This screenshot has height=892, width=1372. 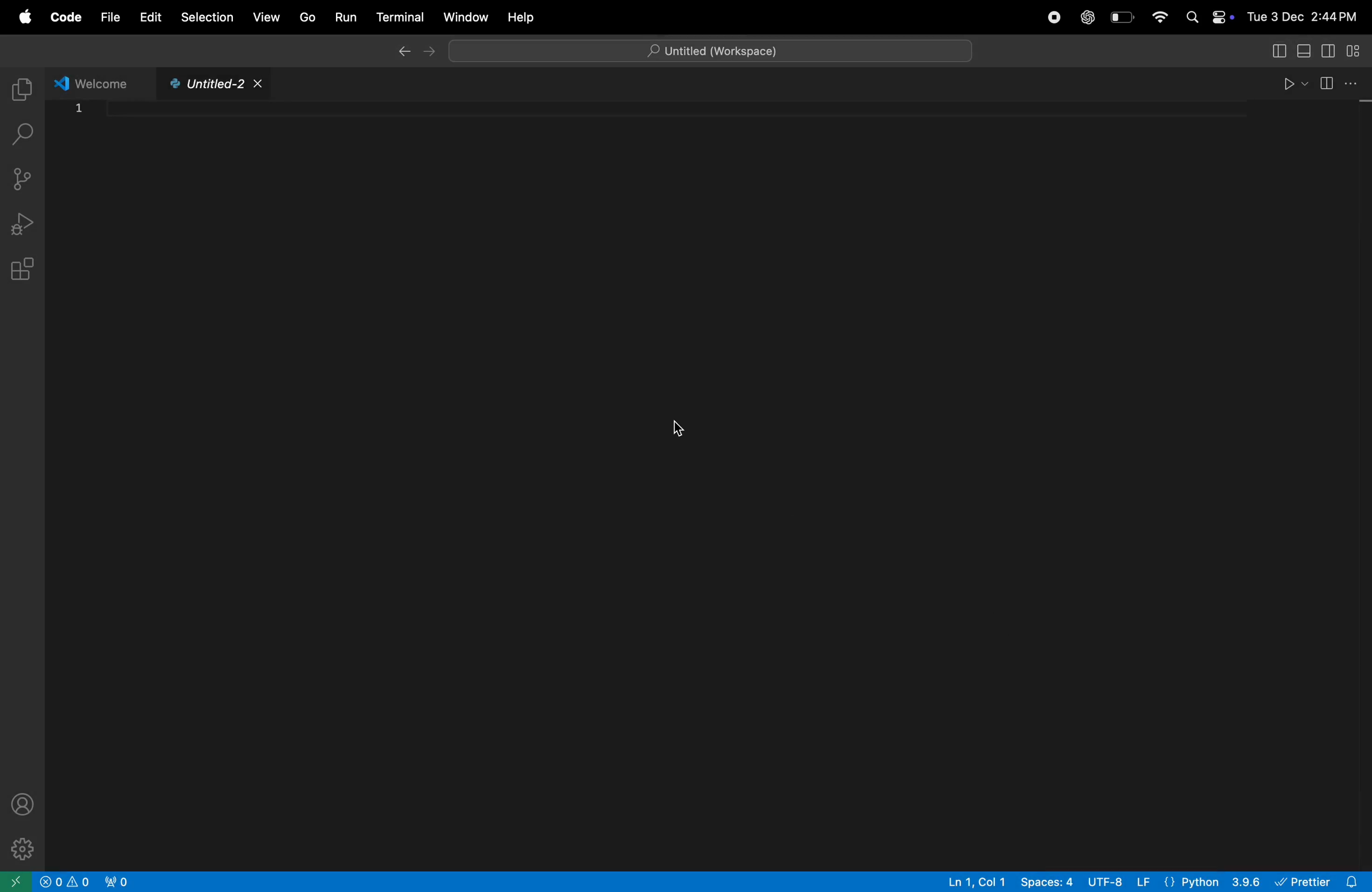 I want to click on apple widgets, so click(x=1206, y=16).